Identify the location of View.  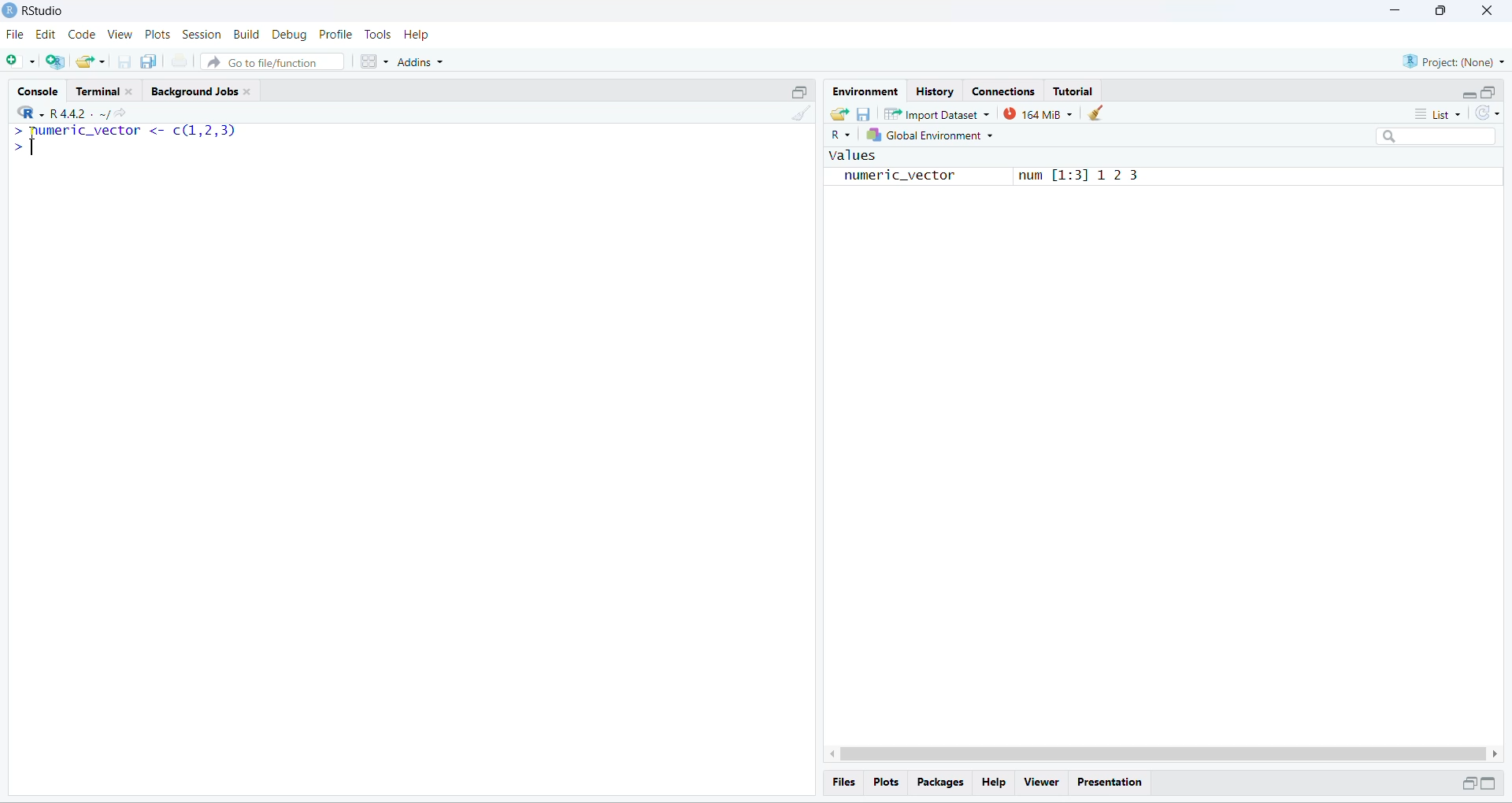
(120, 35).